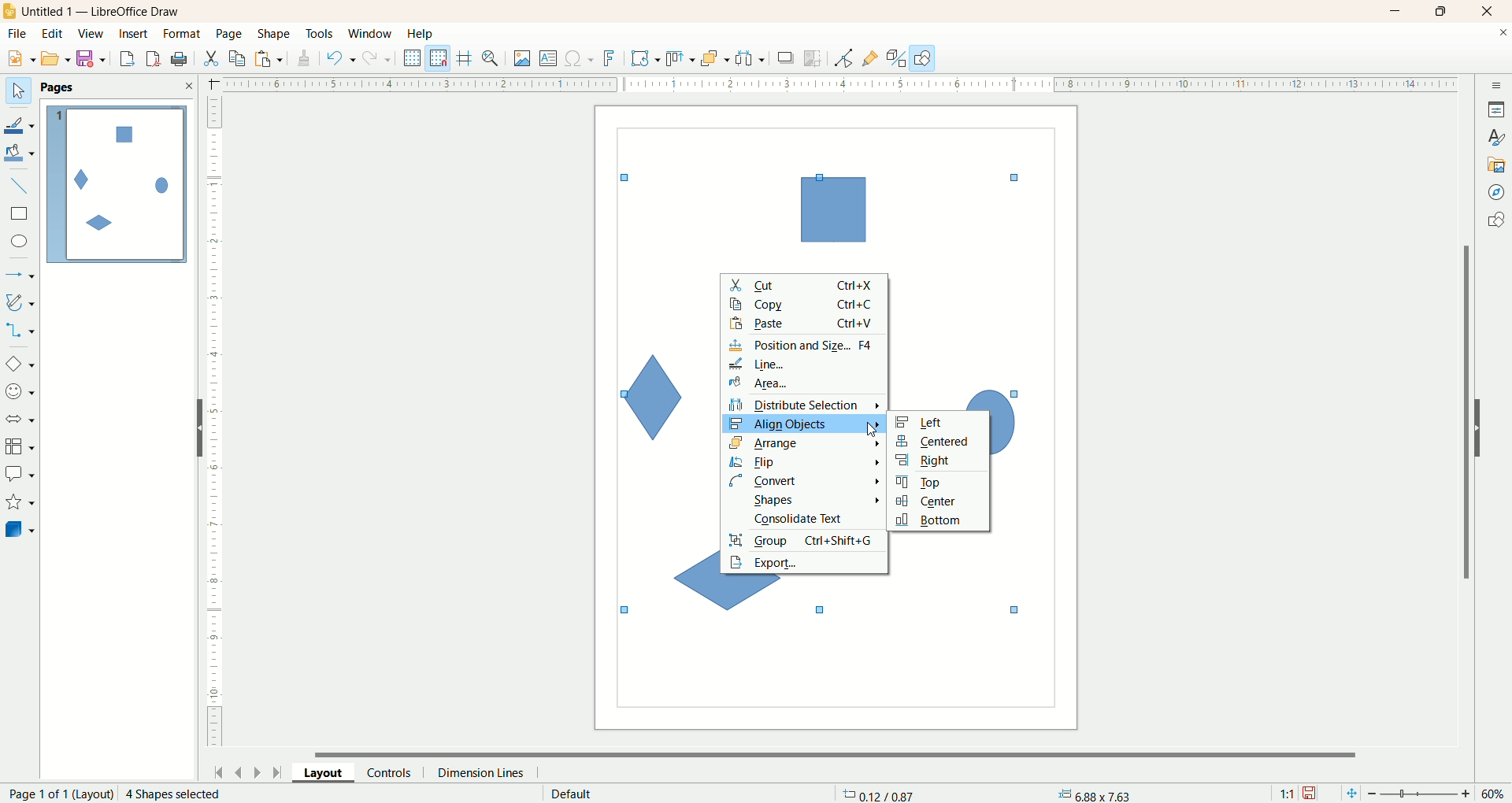  Describe the element at coordinates (485, 772) in the screenshot. I see `dimension lines` at that location.